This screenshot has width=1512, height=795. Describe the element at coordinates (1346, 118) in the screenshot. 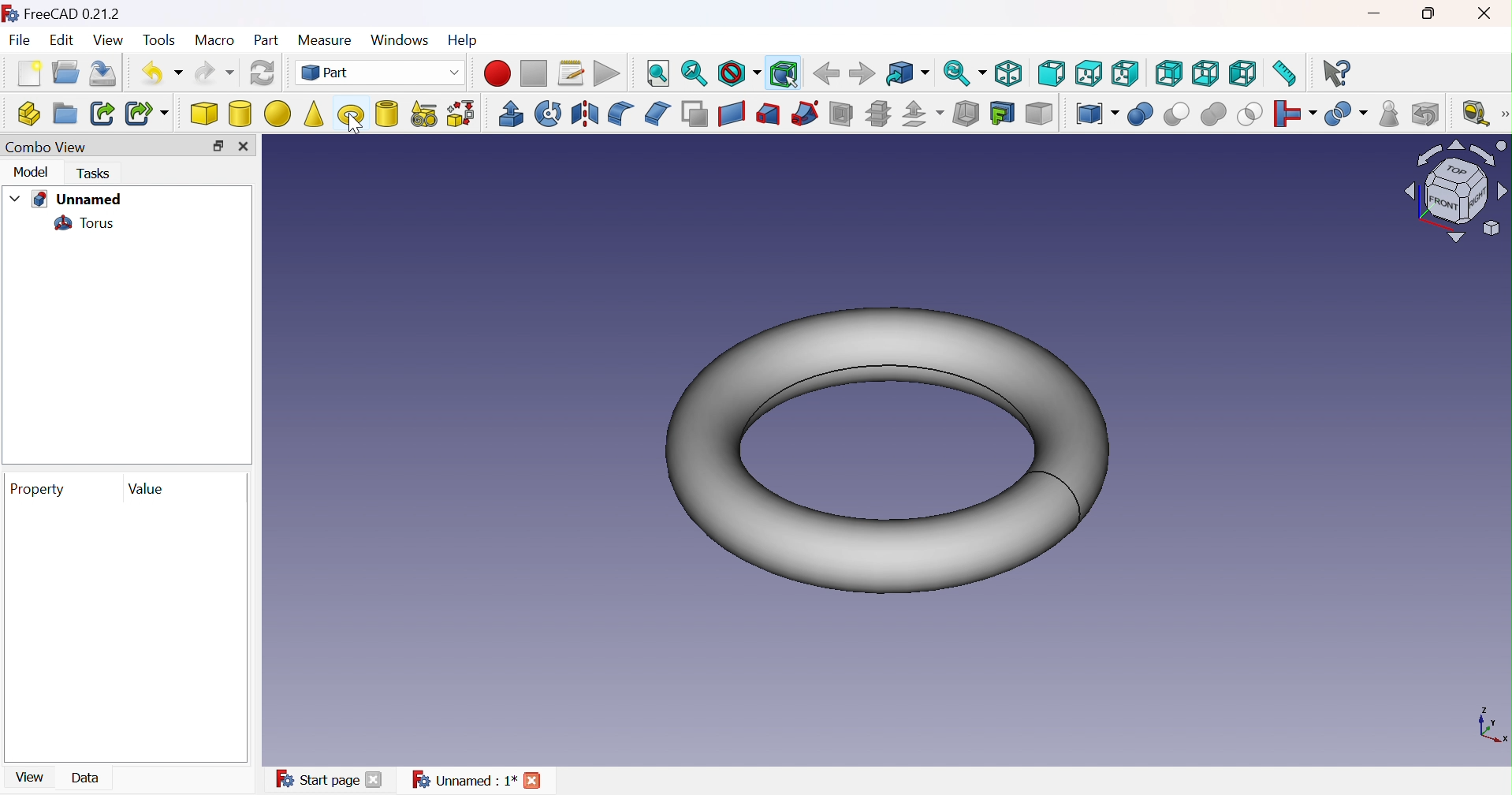

I see `Split objects` at that location.